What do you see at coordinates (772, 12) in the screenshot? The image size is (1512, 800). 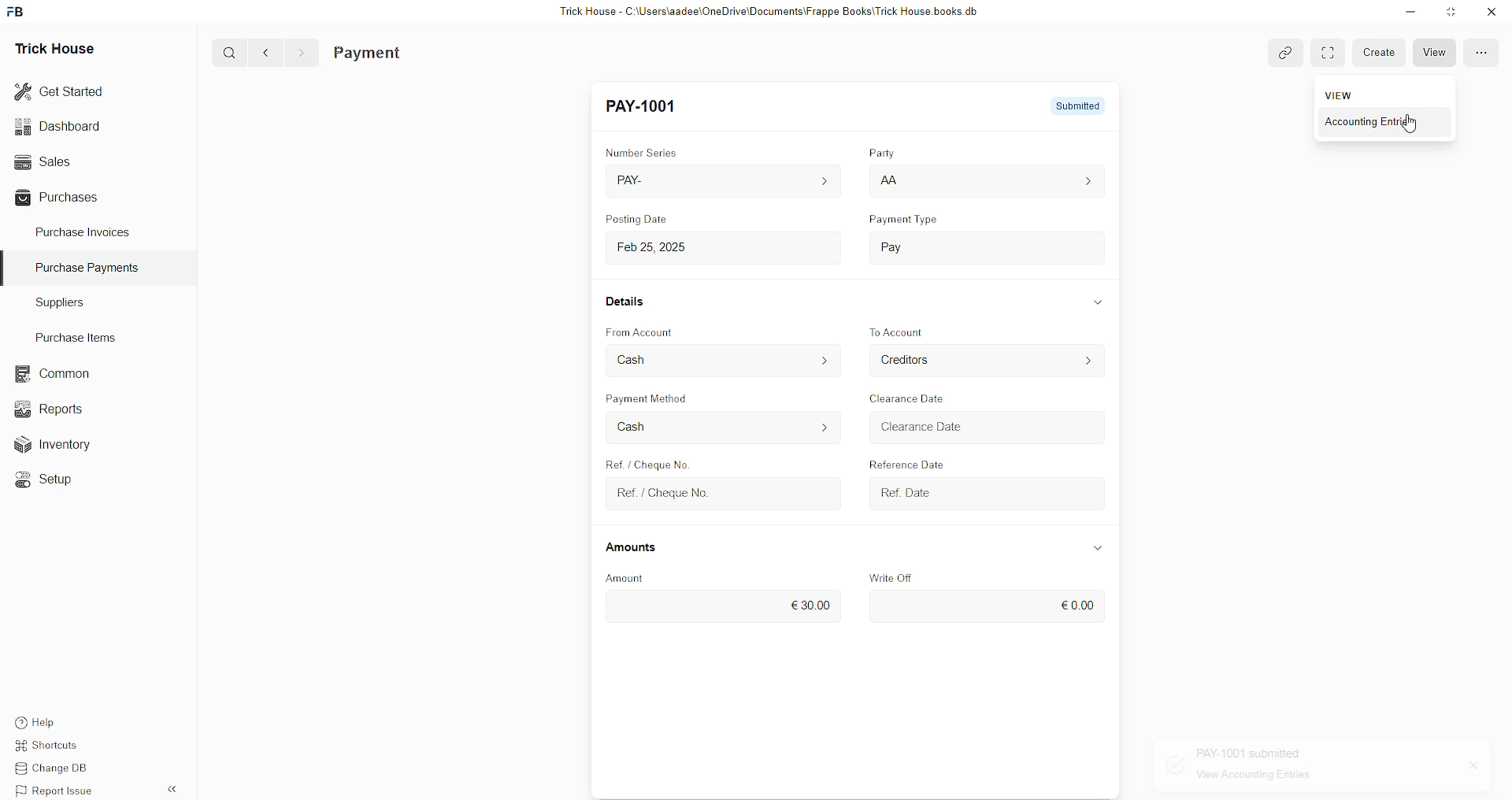 I see `Trick House - C:\Users\aadee\OneDrive\Documents\Frappe Books\Trick House books.db` at bounding box center [772, 12].